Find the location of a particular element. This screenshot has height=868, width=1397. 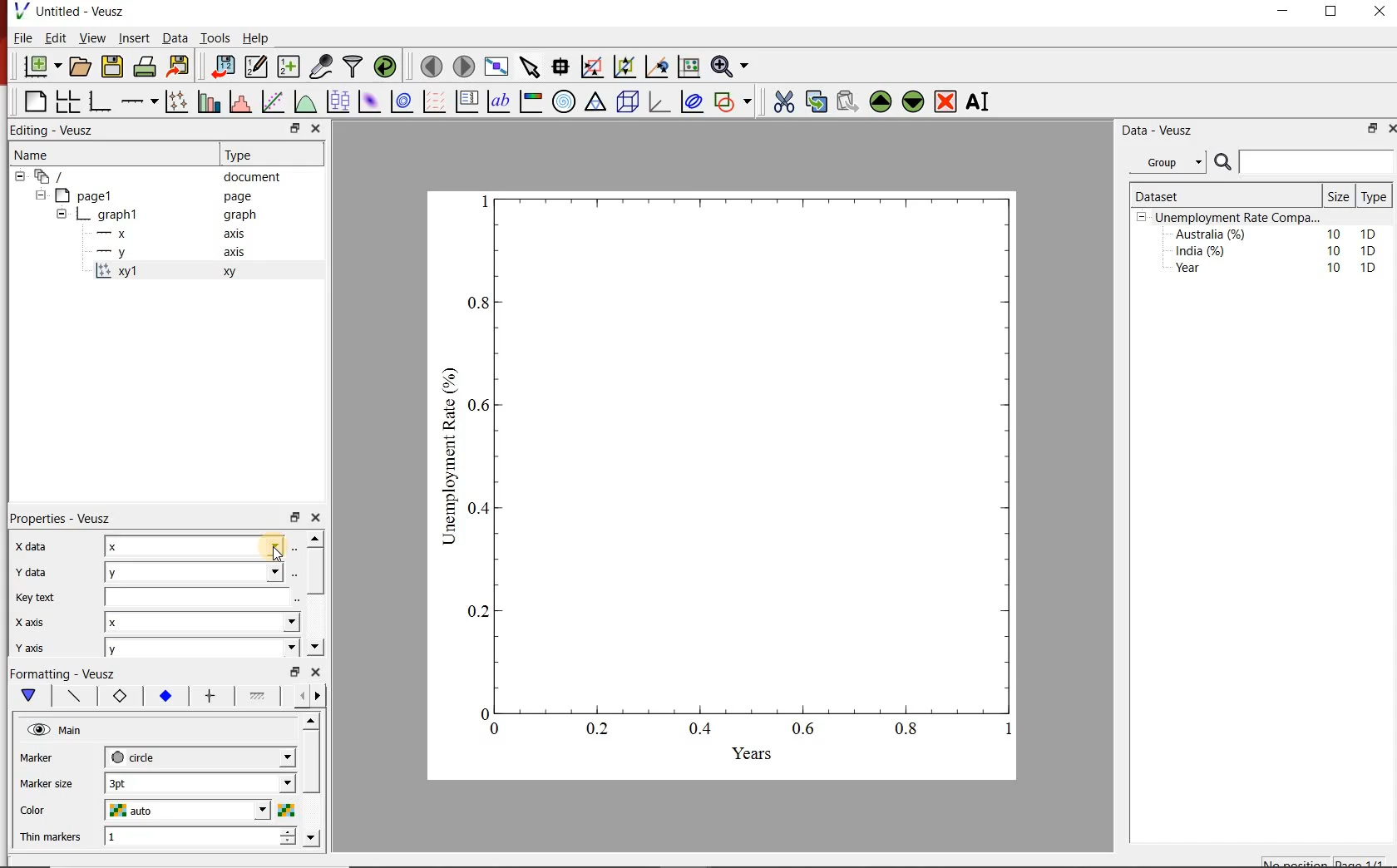

select the items is located at coordinates (531, 65).